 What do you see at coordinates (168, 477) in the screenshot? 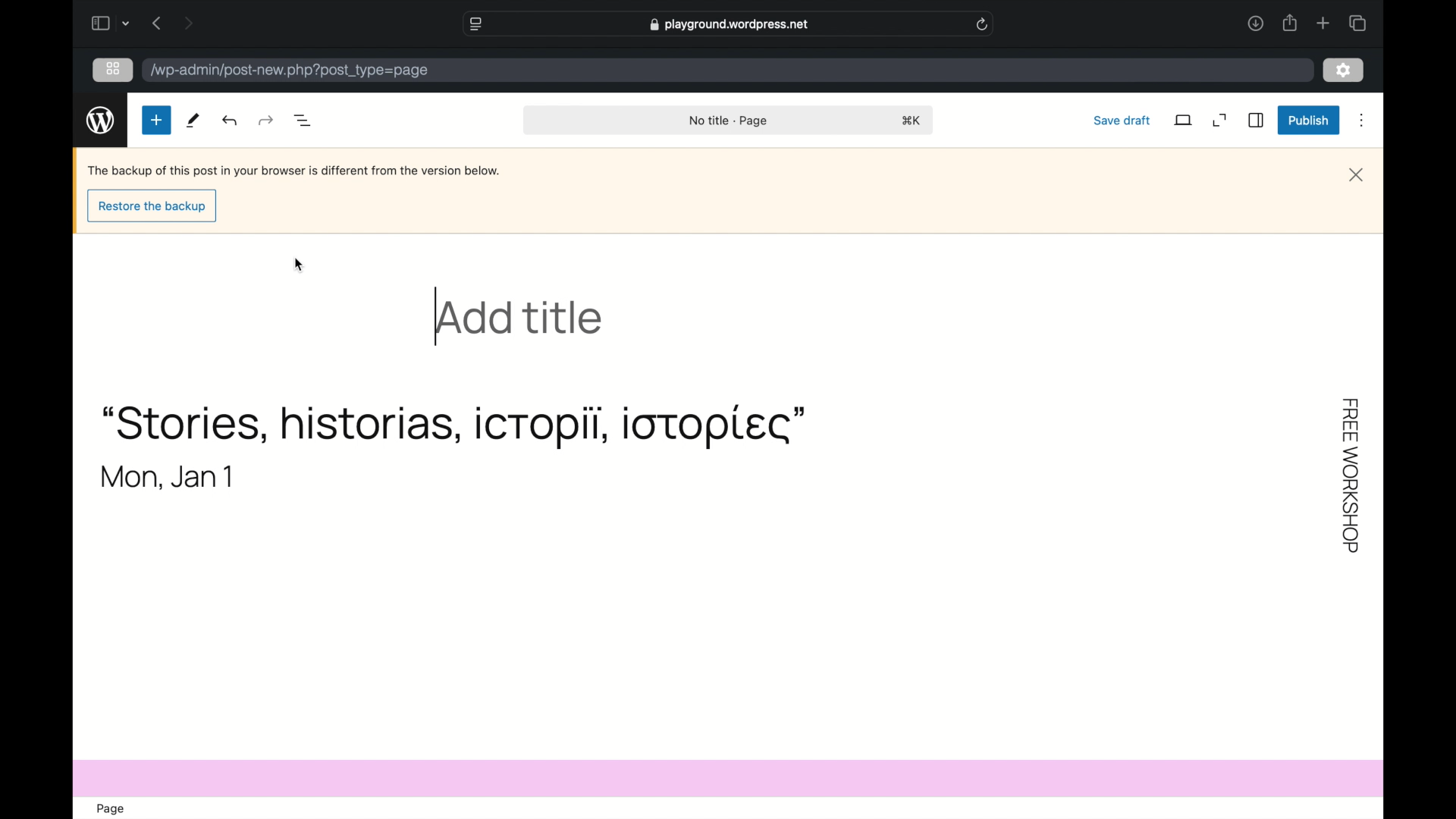
I see `date` at bounding box center [168, 477].